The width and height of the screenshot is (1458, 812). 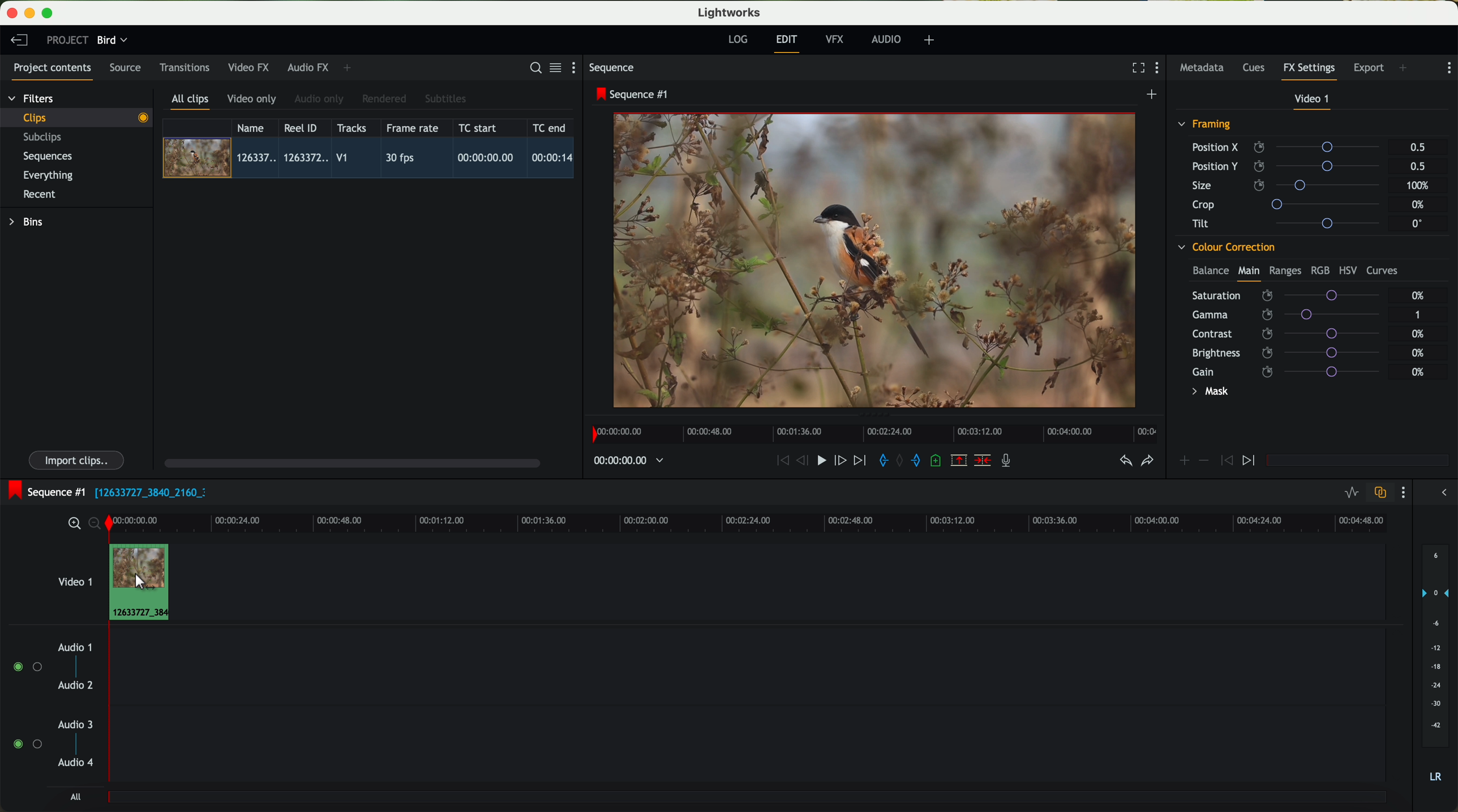 What do you see at coordinates (880, 261) in the screenshot?
I see `video preview` at bounding box center [880, 261].